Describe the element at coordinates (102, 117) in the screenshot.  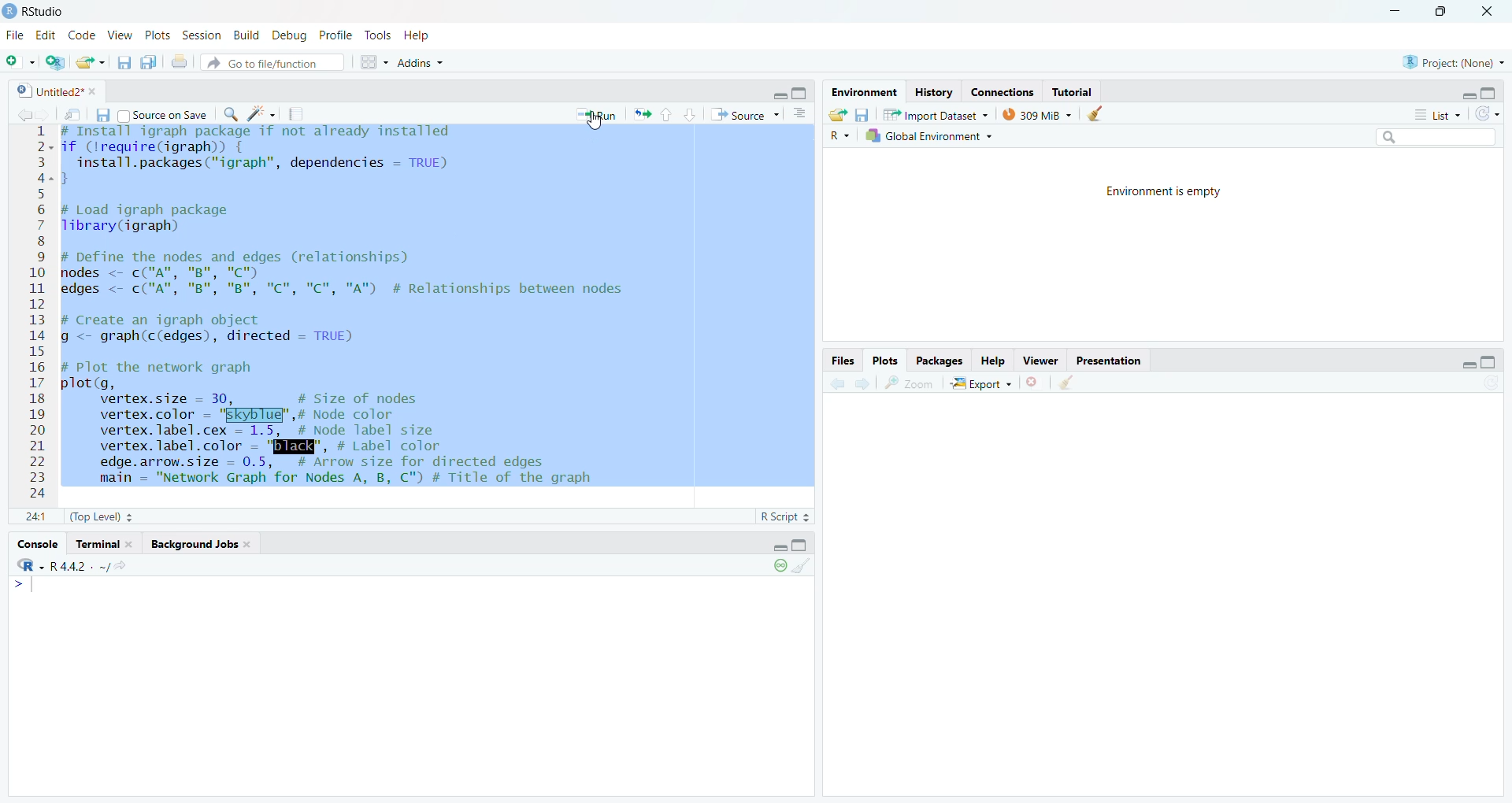
I see `save` at that location.